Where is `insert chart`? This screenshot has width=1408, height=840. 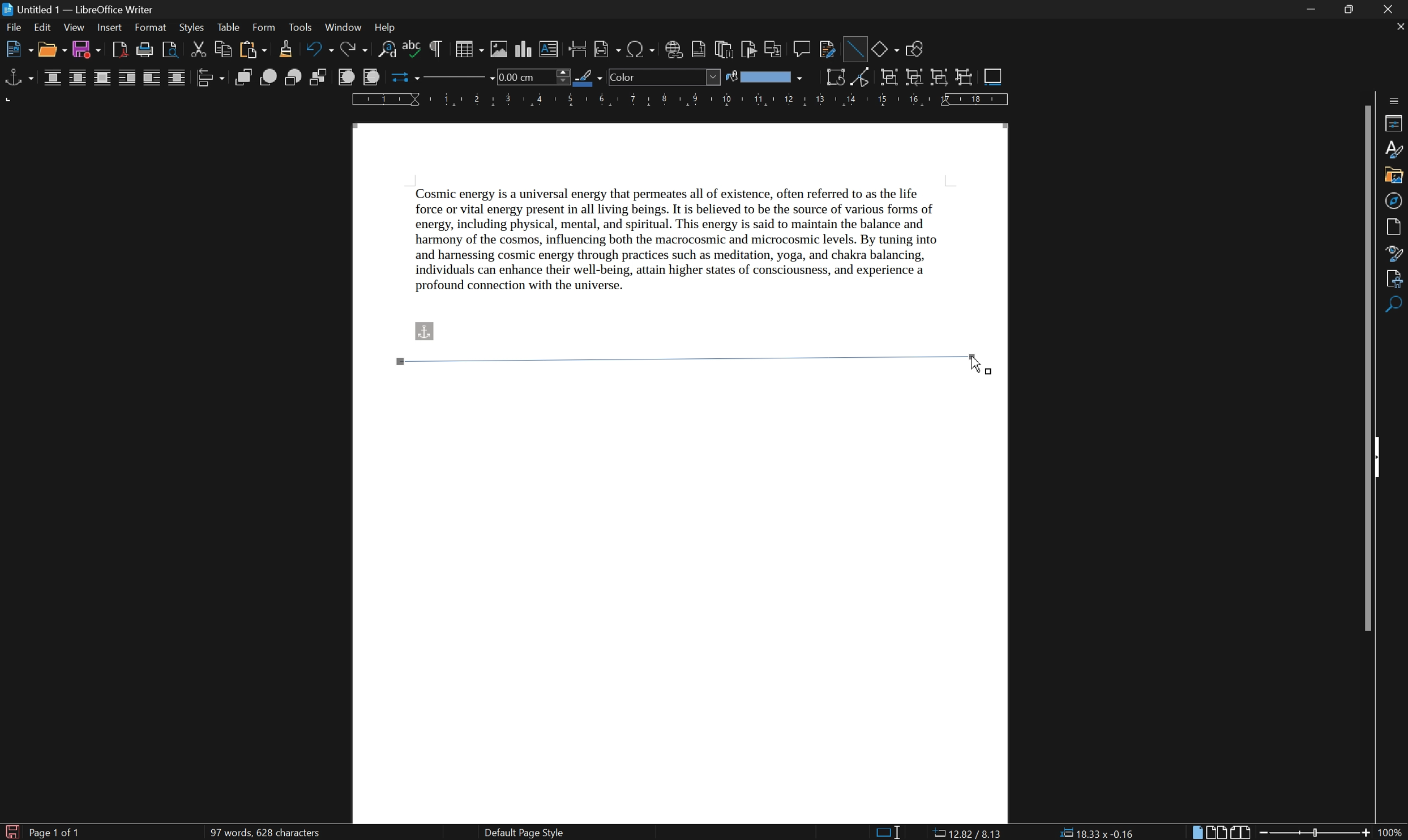
insert chart is located at coordinates (525, 49).